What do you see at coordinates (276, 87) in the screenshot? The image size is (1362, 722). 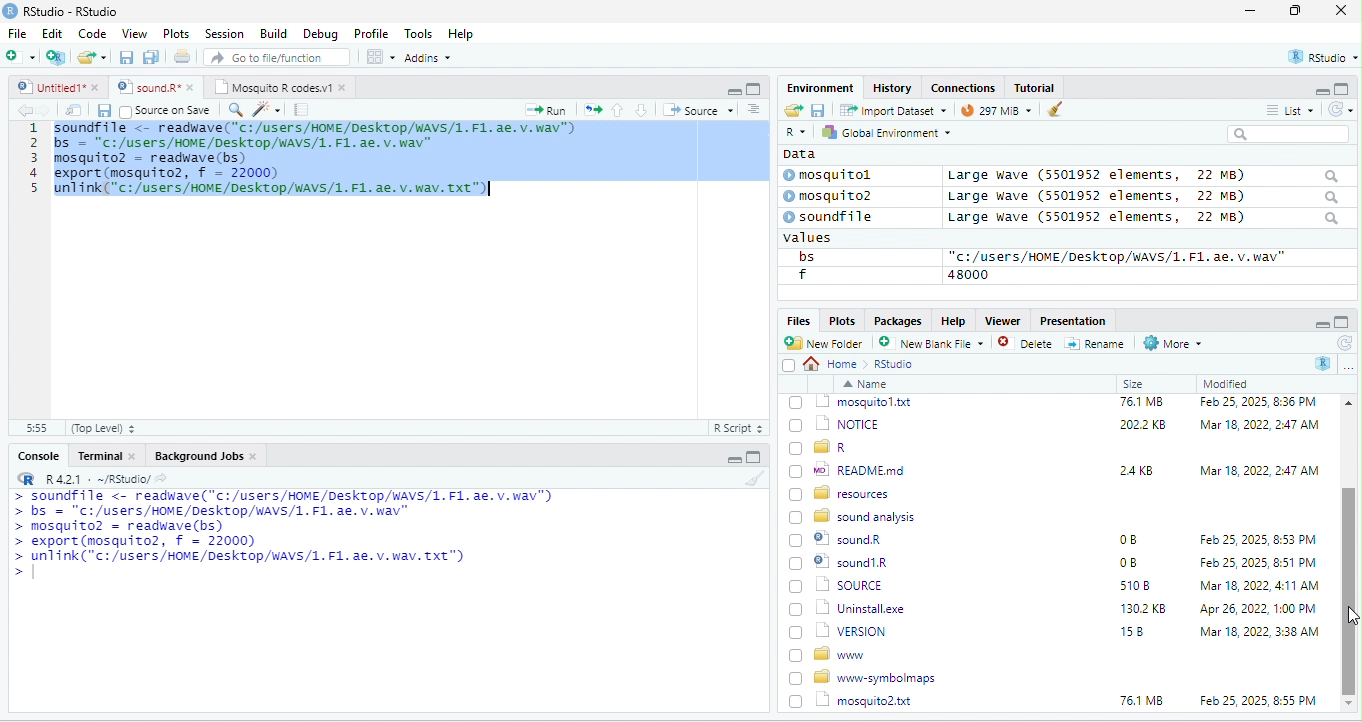 I see `Mosquito R codes.v1` at bounding box center [276, 87].